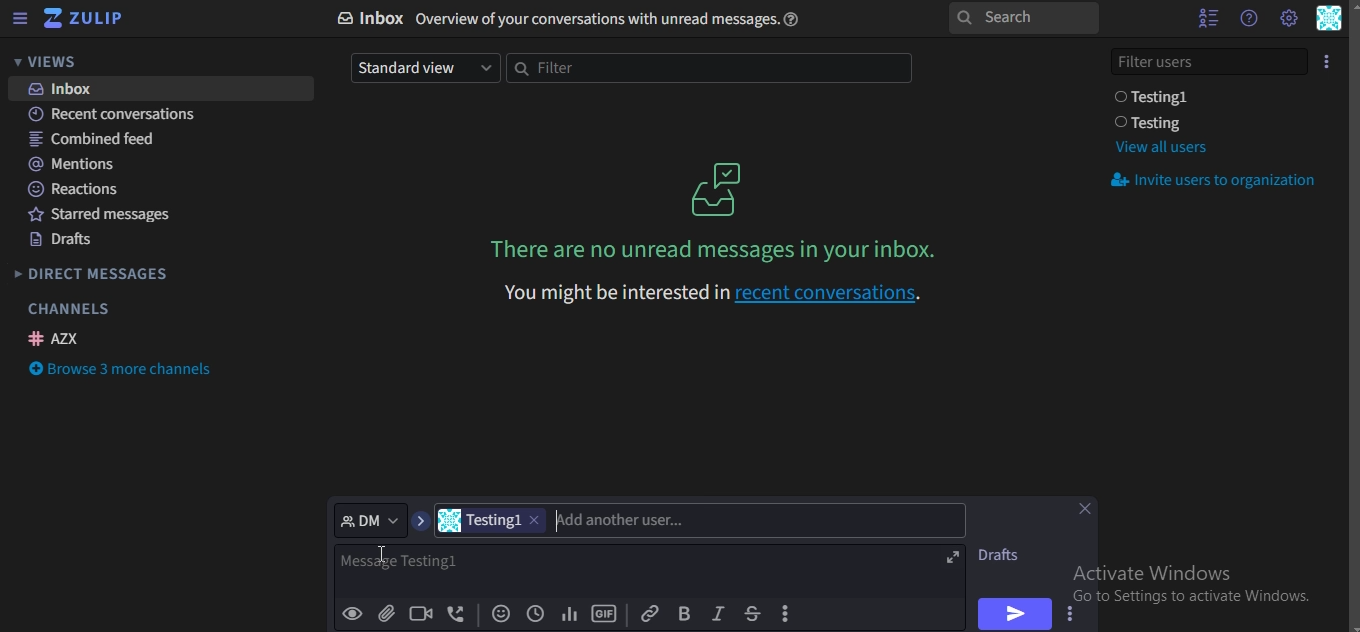  Describe the element at coordinates (533, 615) in the screenshot. I see `add global time` at that location.